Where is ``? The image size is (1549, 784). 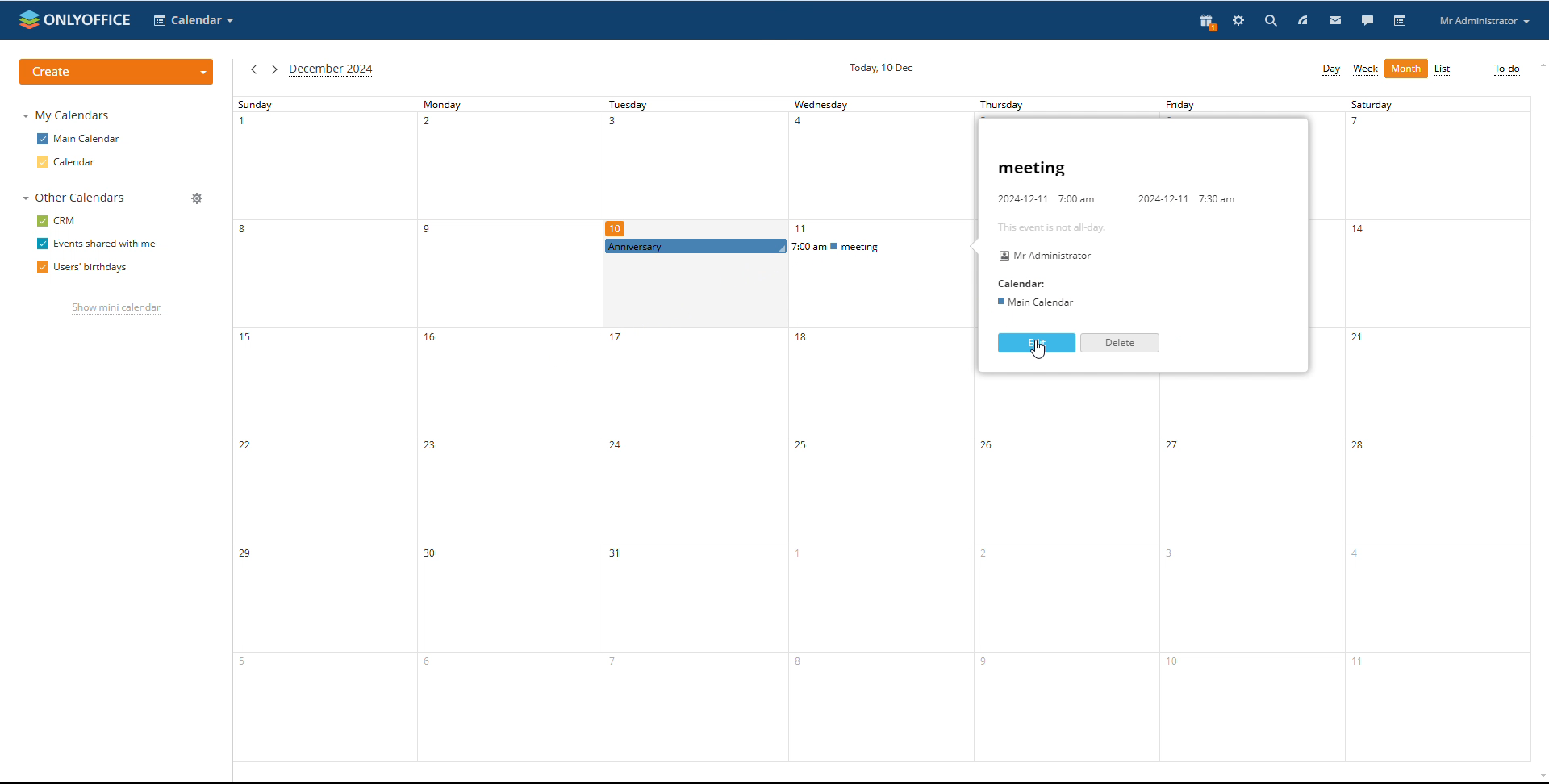
 is located at coordinates (1242, 105).